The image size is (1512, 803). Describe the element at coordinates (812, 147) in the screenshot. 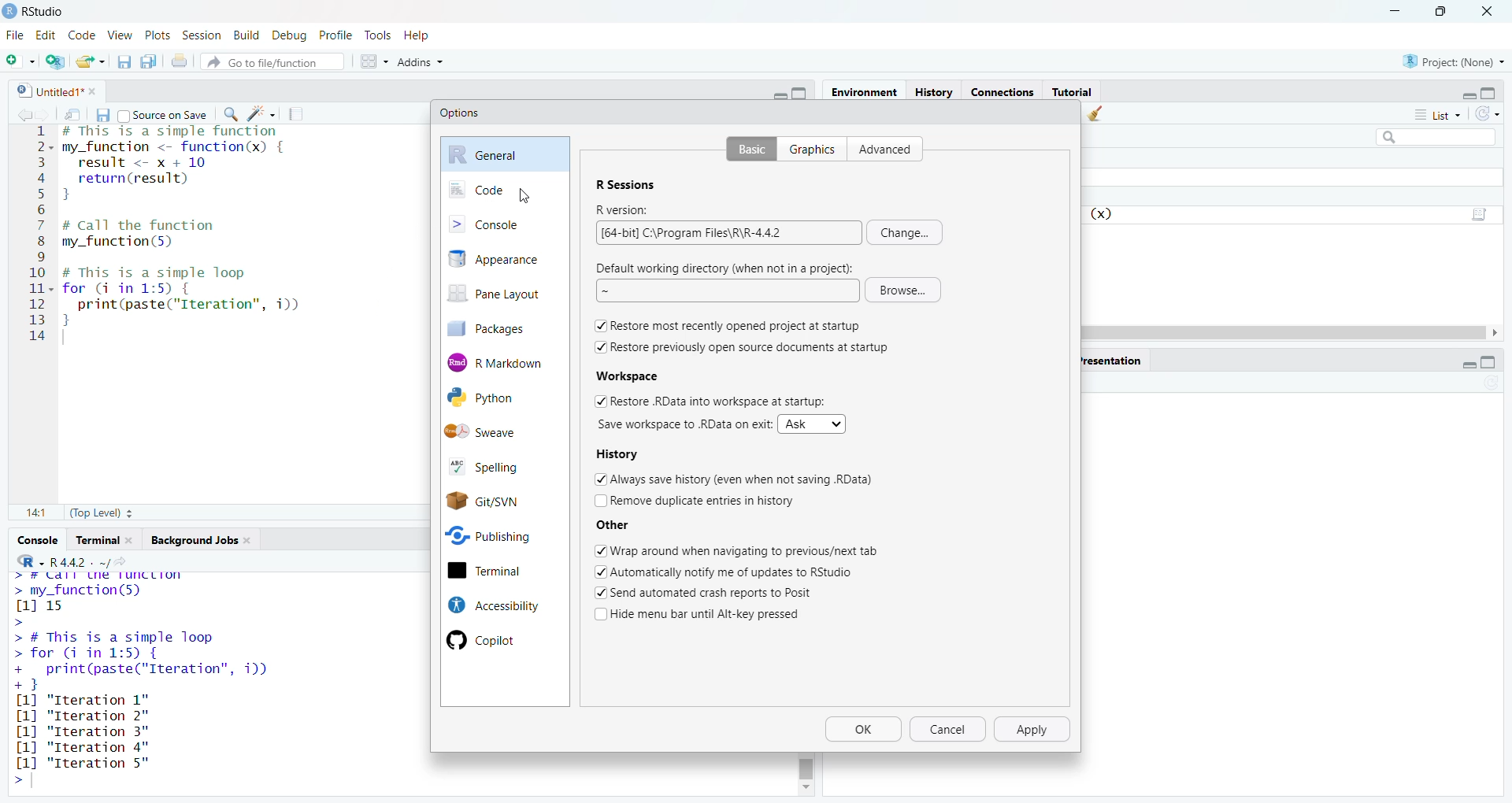

I see `graphics` at that location.